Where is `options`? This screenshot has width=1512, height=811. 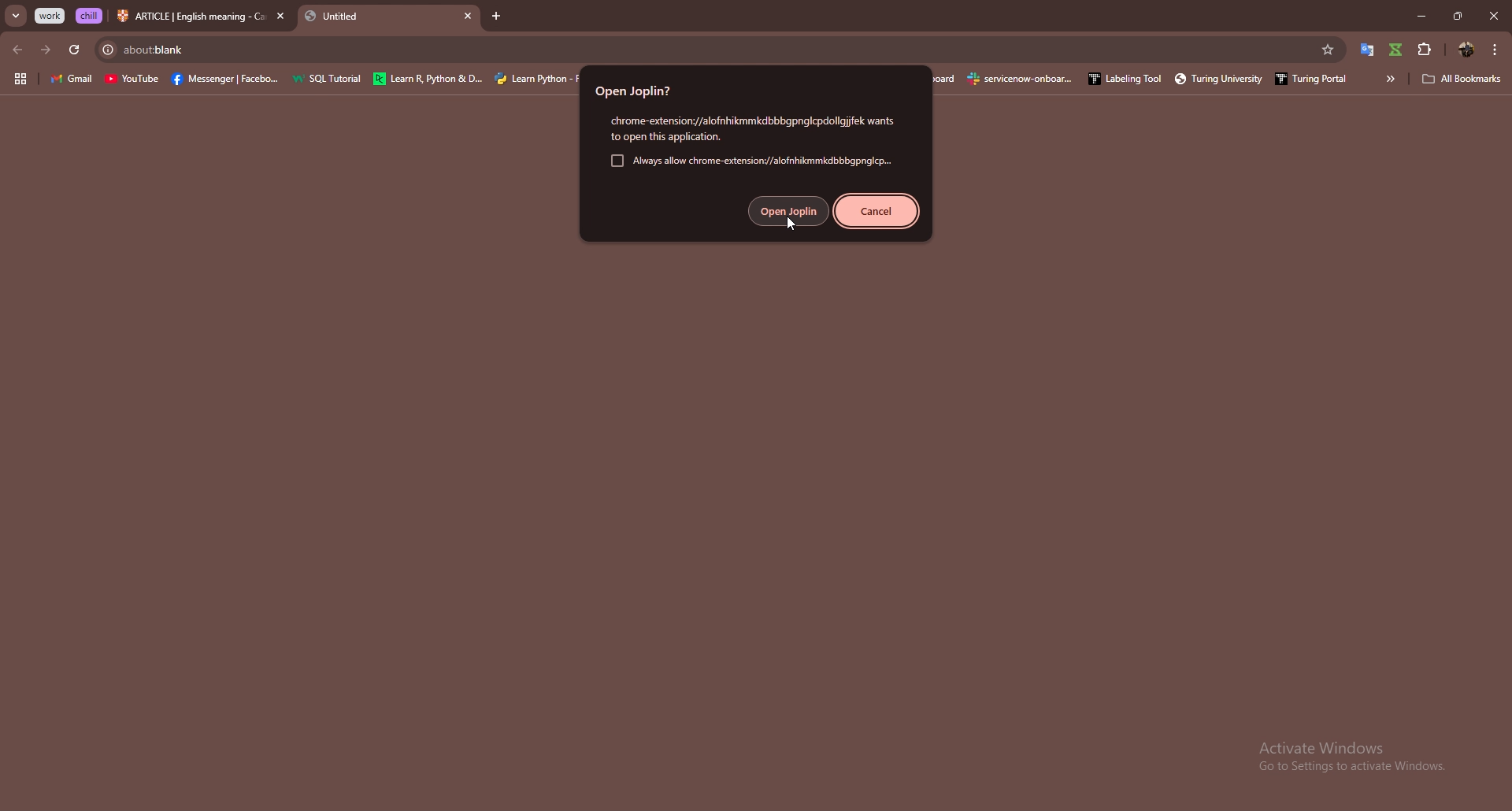 options is located at coordinates (1495, 49).